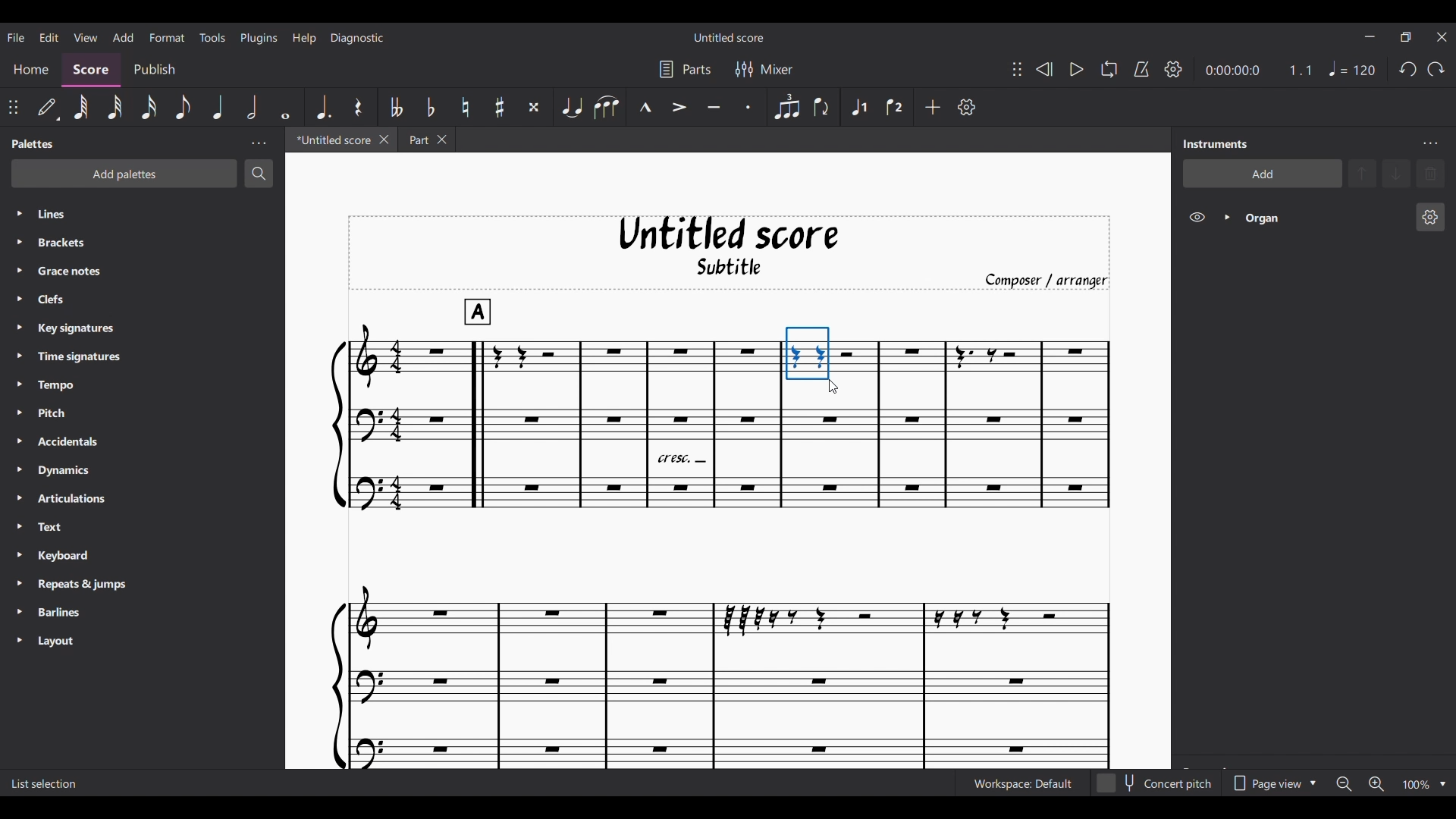  What do you see at coordinates (1376, 783) in the screenshot?
I see `Zoom in` at bounding box center [1376, 783].